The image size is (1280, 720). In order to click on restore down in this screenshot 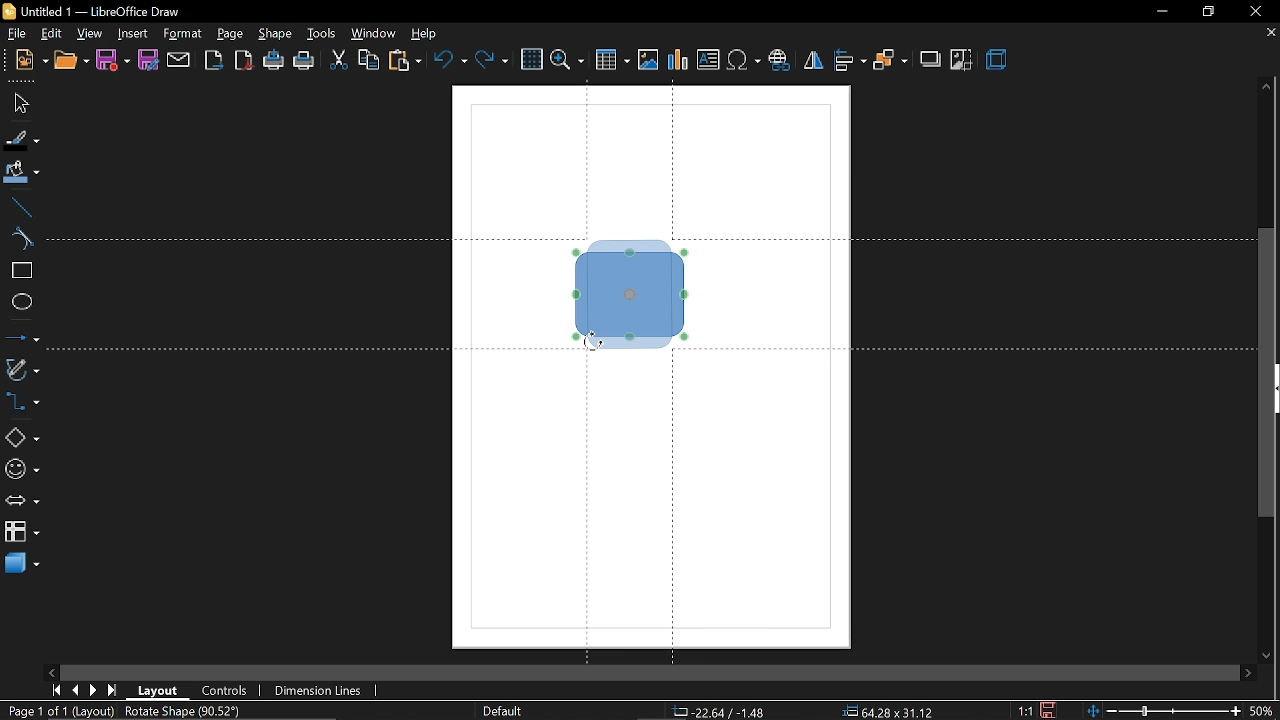, I will do `click(1204, 13)`.